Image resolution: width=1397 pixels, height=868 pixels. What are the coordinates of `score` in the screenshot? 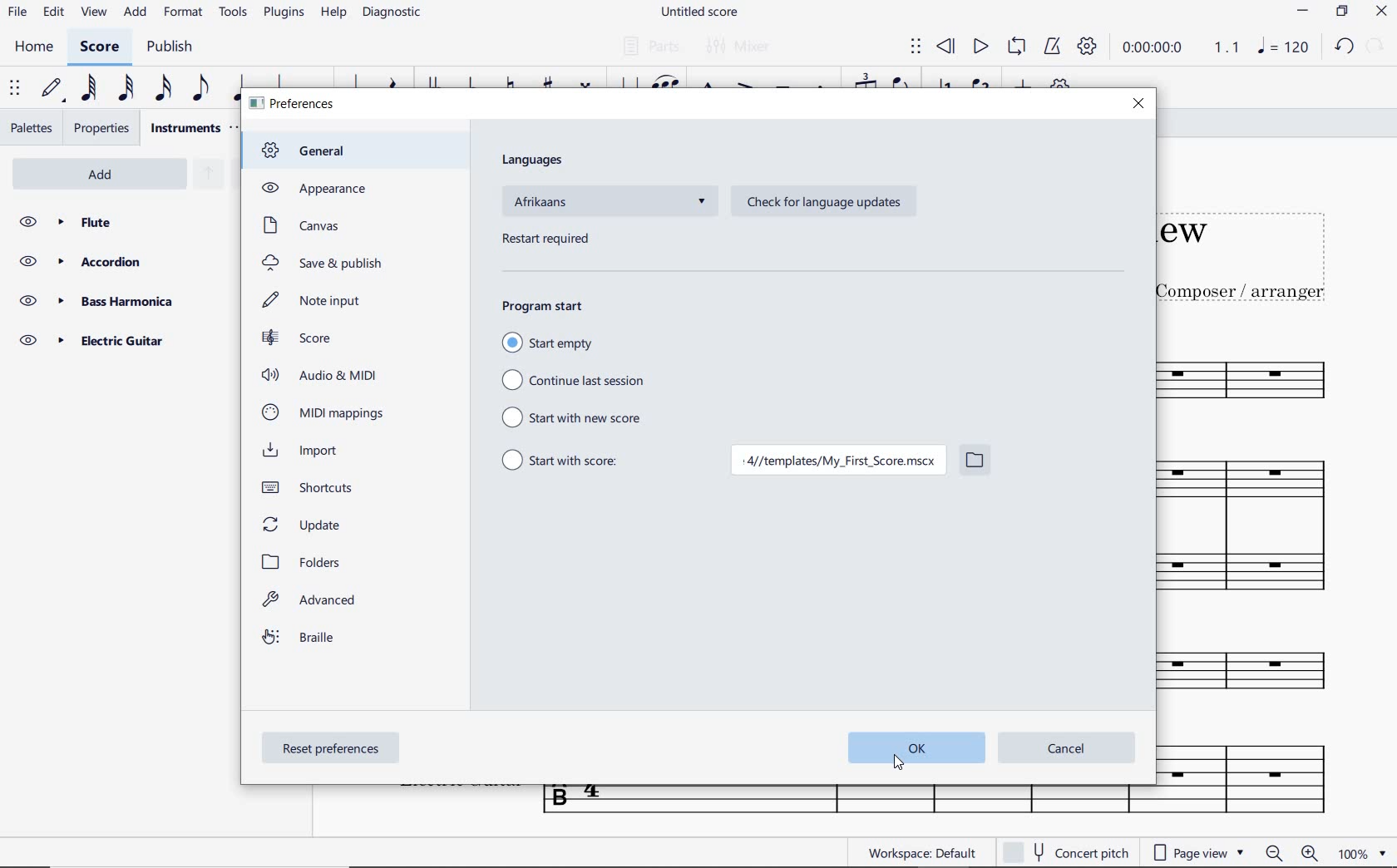 It's located at (298, 338).